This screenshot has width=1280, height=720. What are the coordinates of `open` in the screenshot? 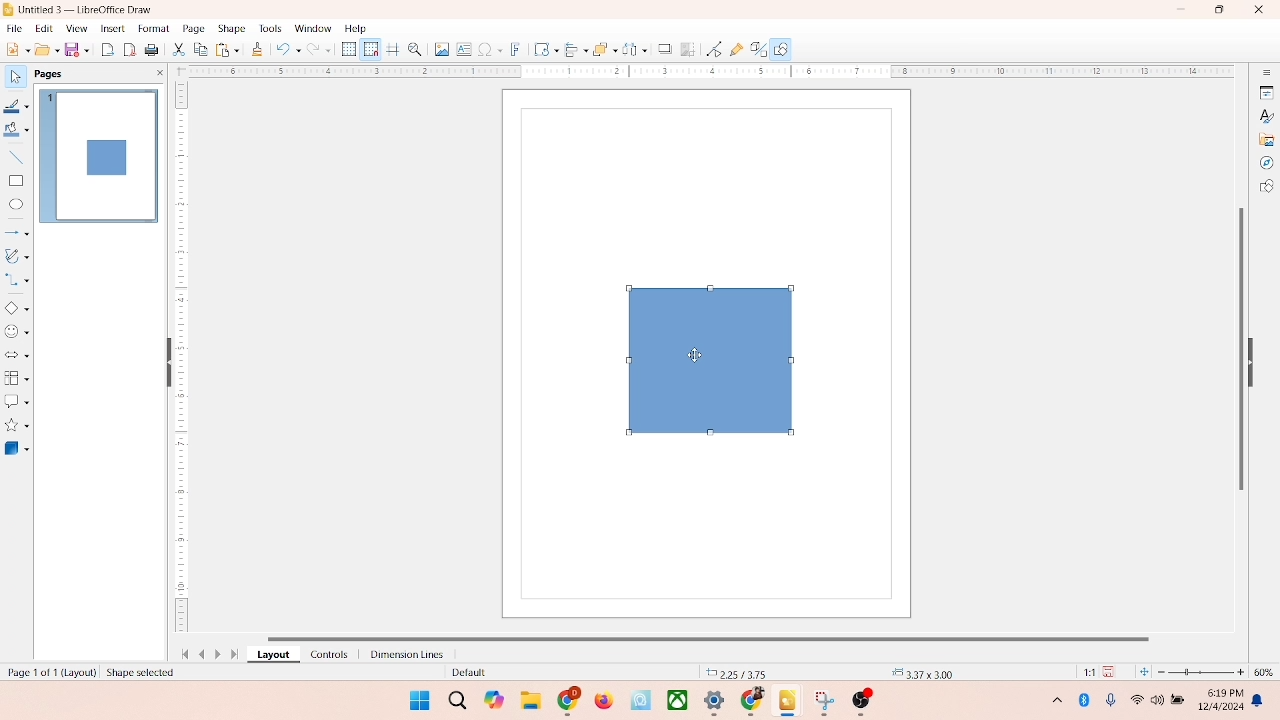 It's located at (45, 49).